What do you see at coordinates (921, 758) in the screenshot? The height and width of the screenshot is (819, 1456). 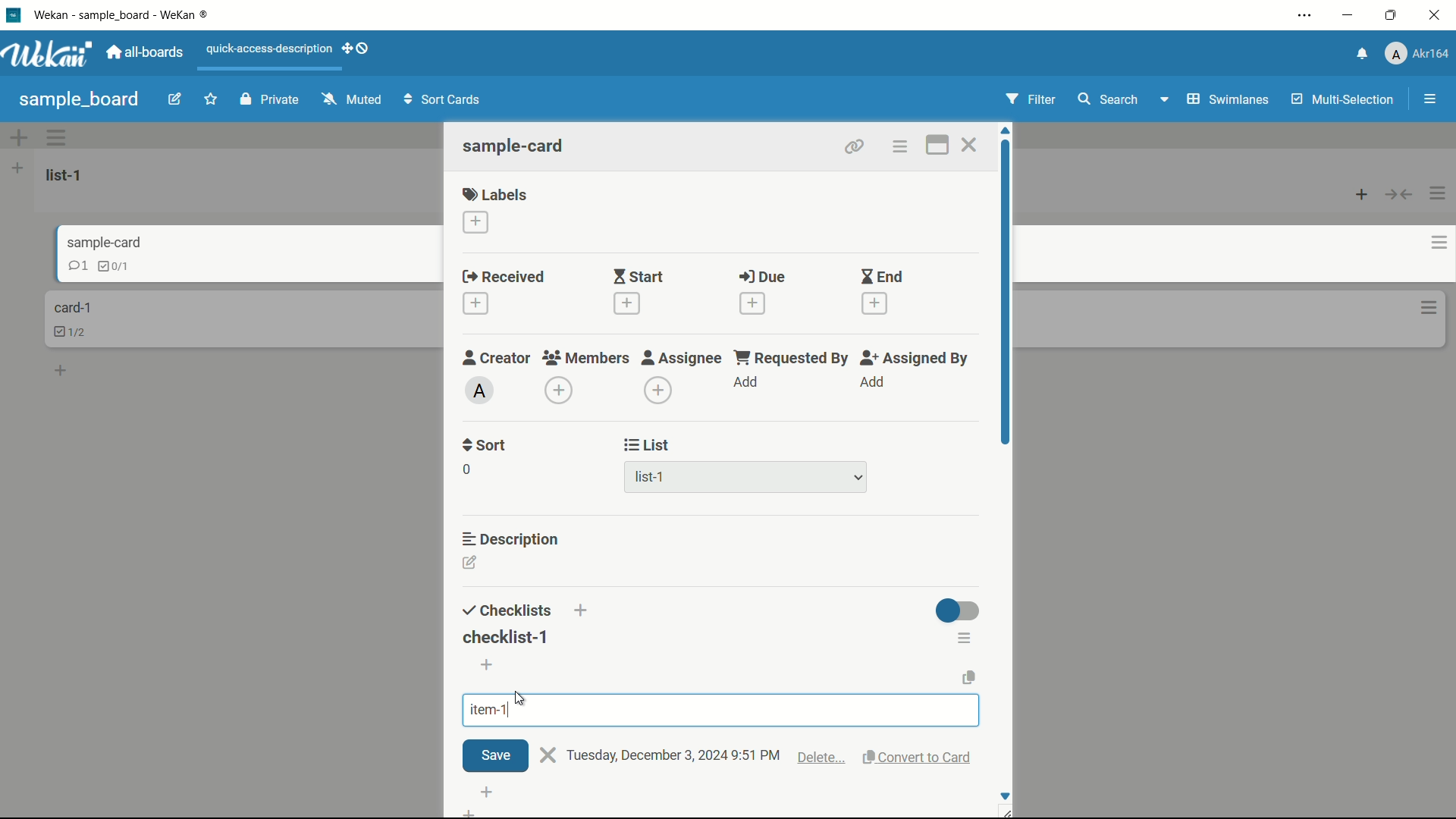 I see `convert to card` at bounding box center [921, 758].